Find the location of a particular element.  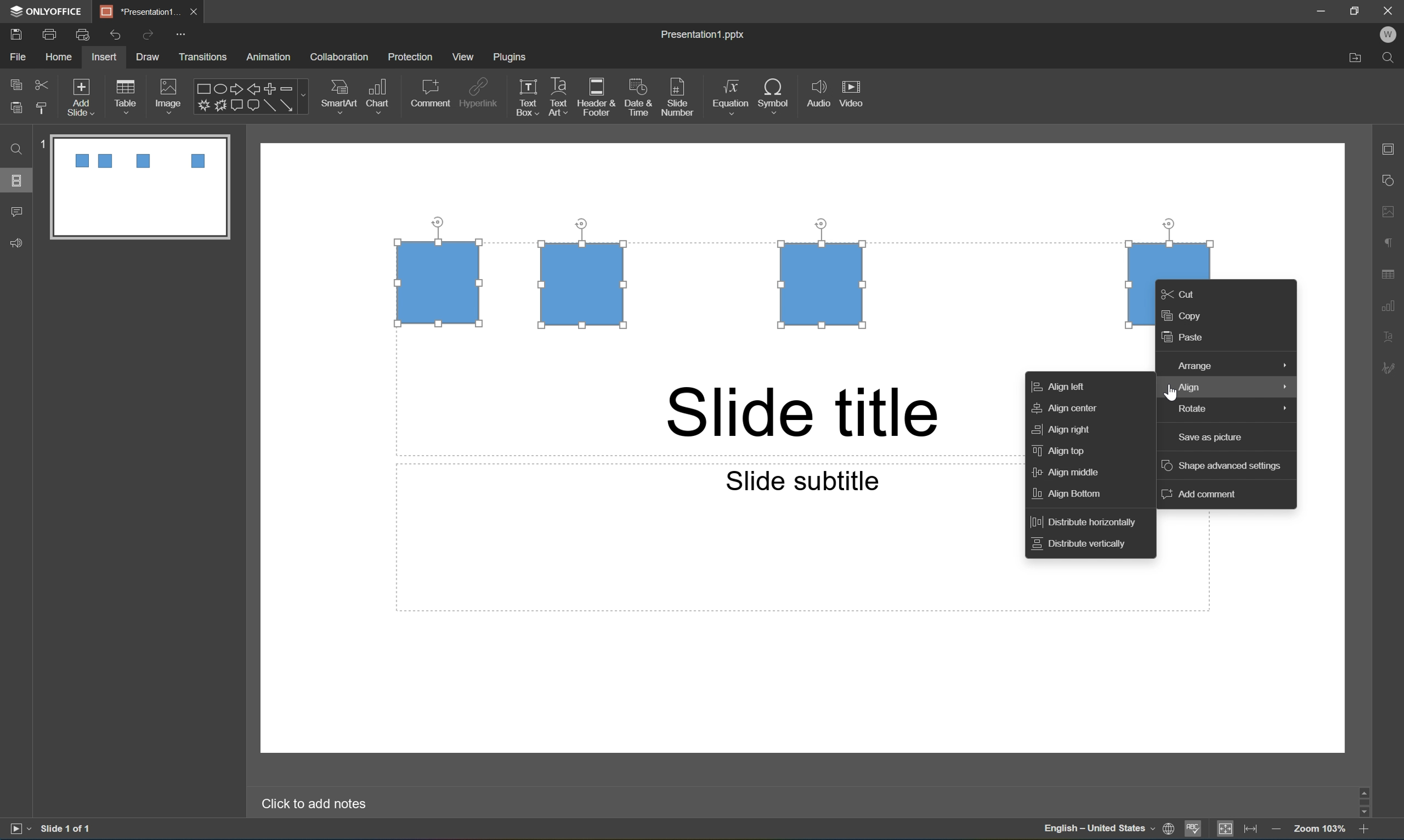

add slide is located at coordinates (83, 95).